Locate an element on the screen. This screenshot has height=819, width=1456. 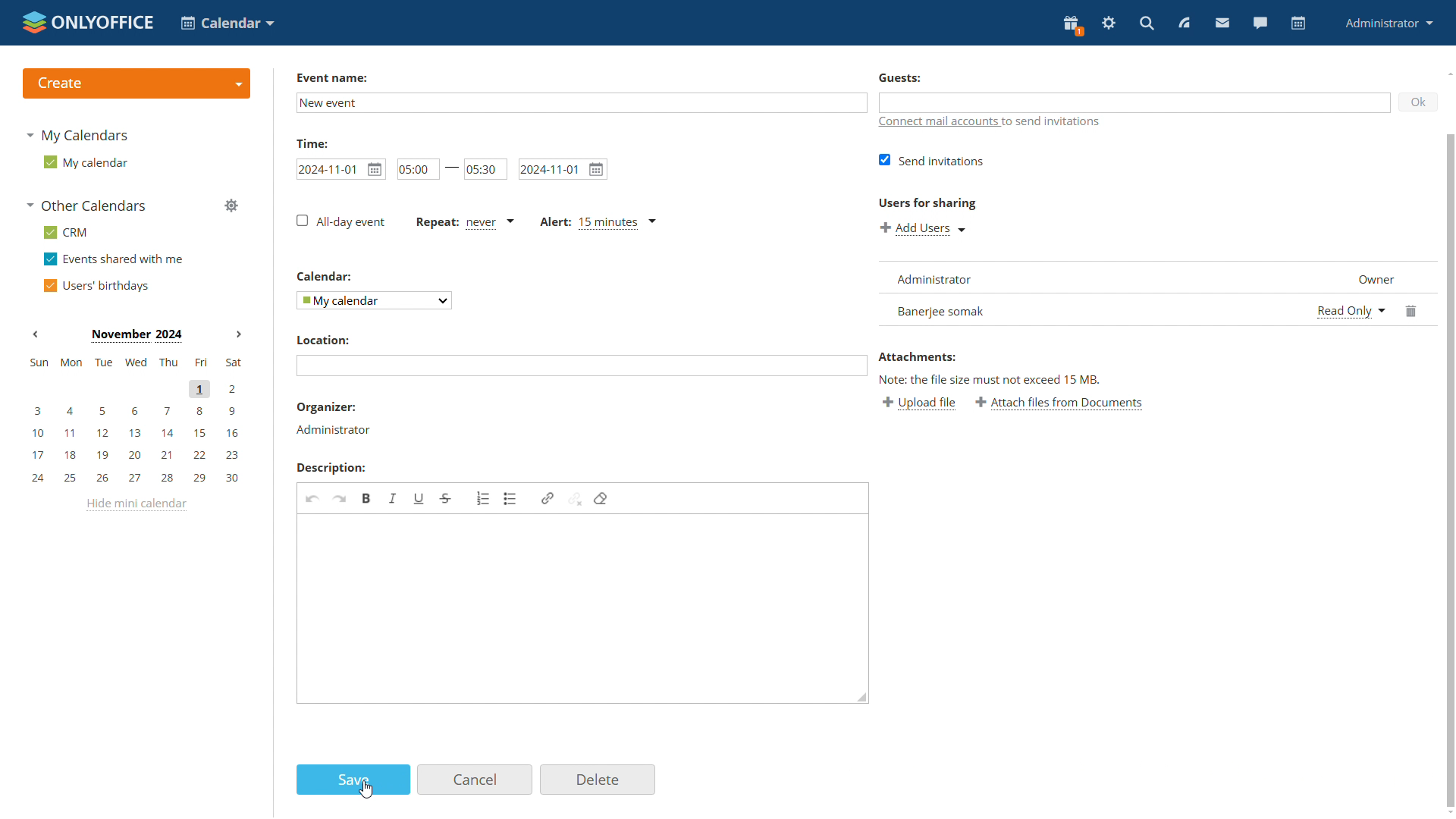
Link is located at coordinates (546, 500).